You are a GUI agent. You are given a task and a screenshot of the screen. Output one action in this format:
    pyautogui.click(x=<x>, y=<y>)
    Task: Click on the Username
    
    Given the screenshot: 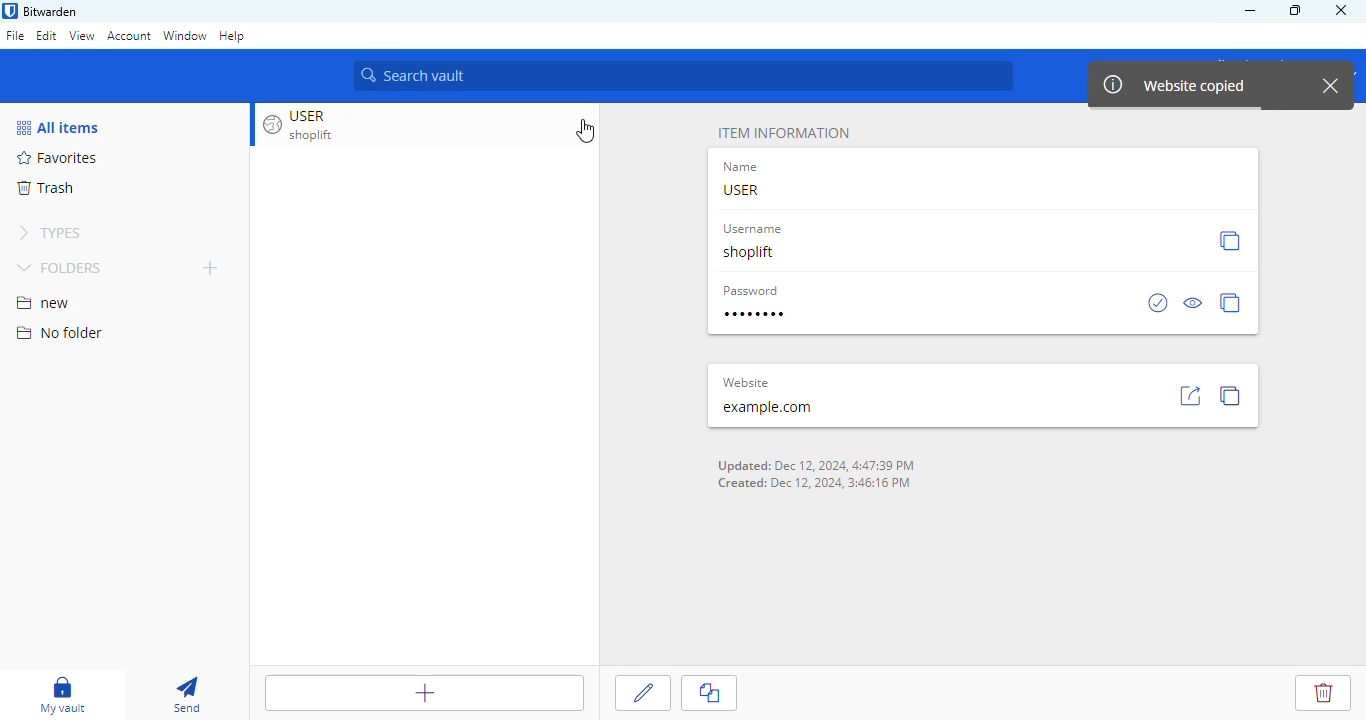 What is the action you would take?
    pyautogui.click(x=754, y=230)
    